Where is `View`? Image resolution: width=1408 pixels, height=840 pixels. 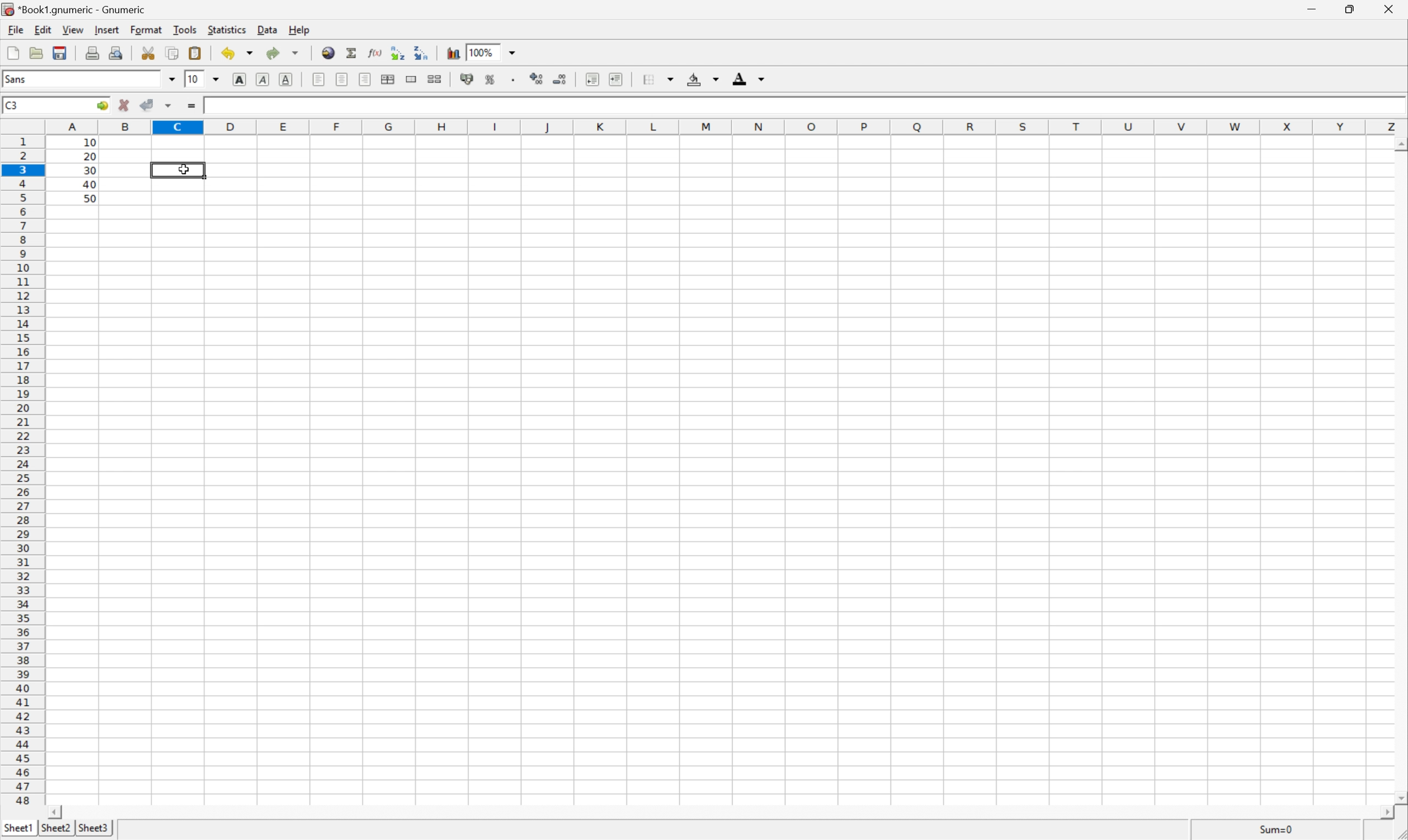
View is located at coordinates (74, 30).